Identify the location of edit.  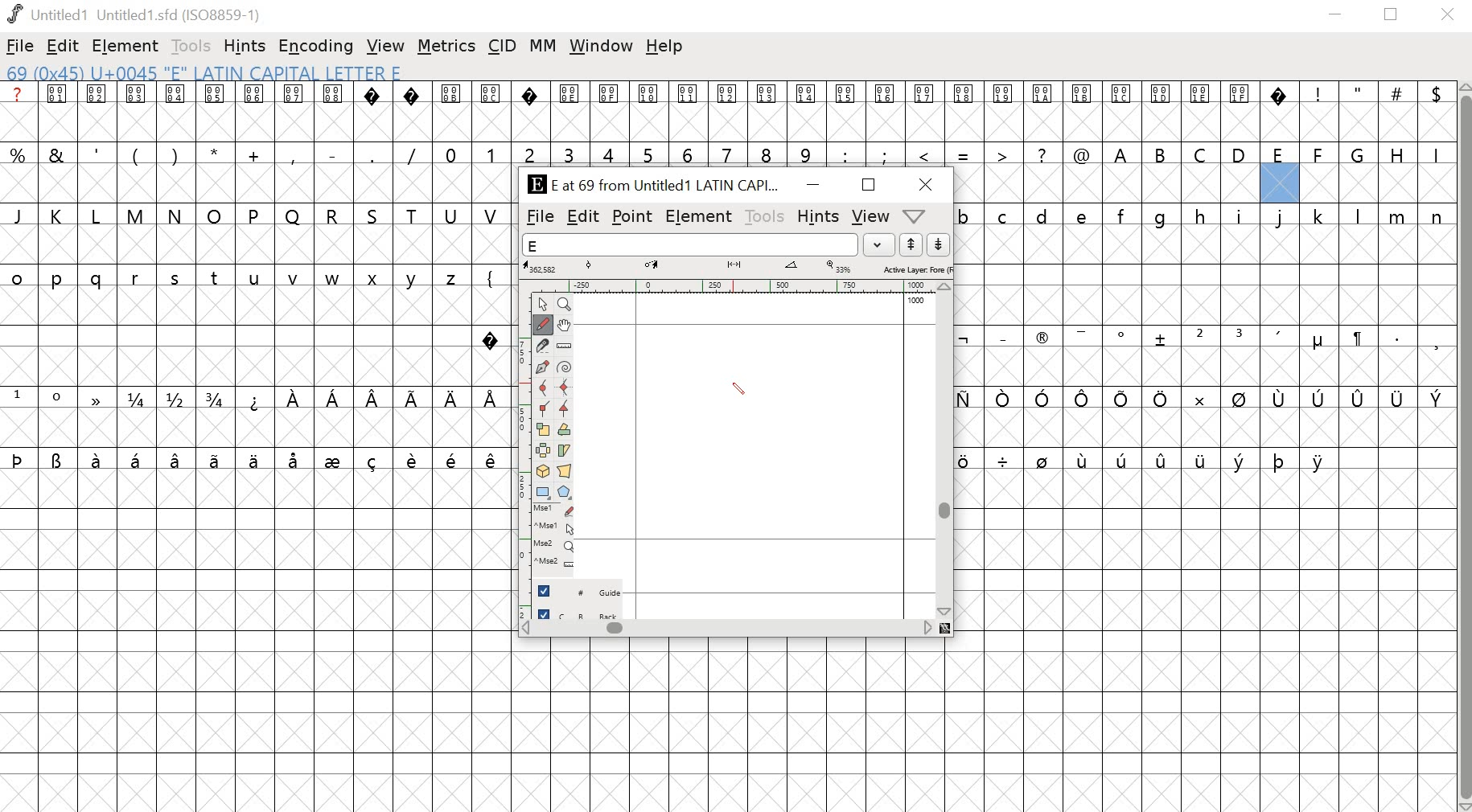
(64, 46).